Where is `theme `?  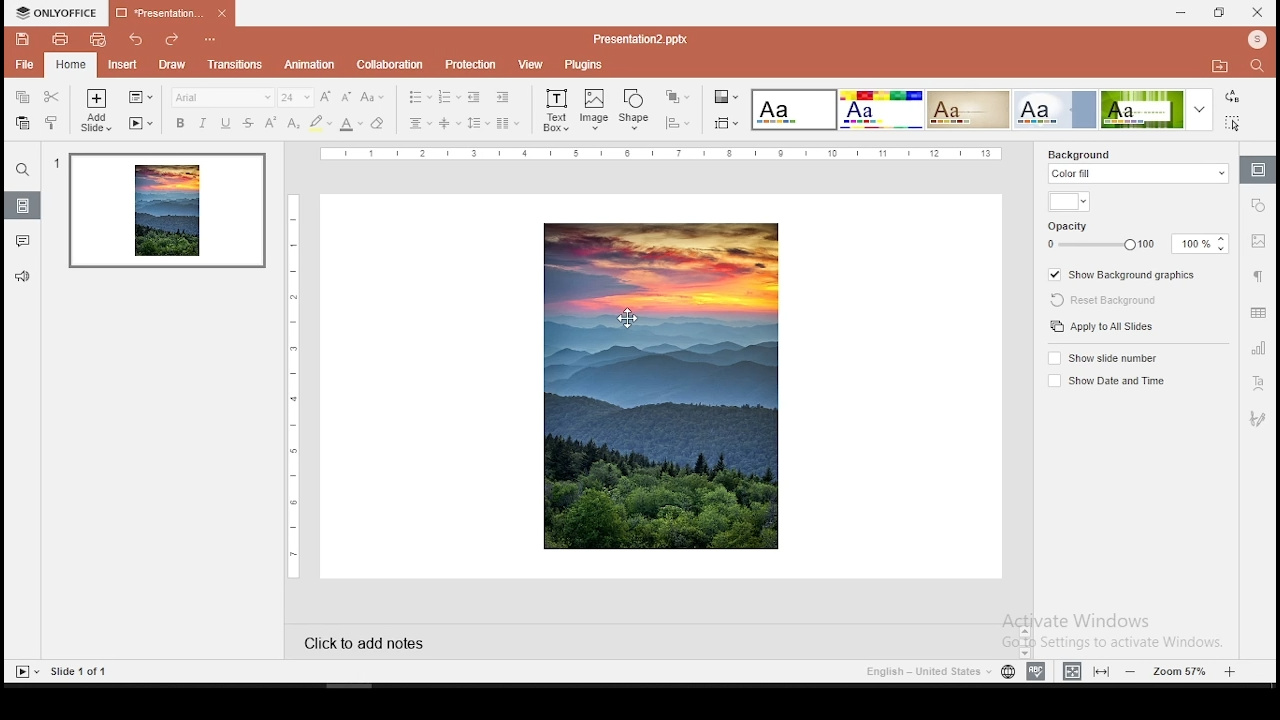
theme  is located at coordinates (1157, 109).